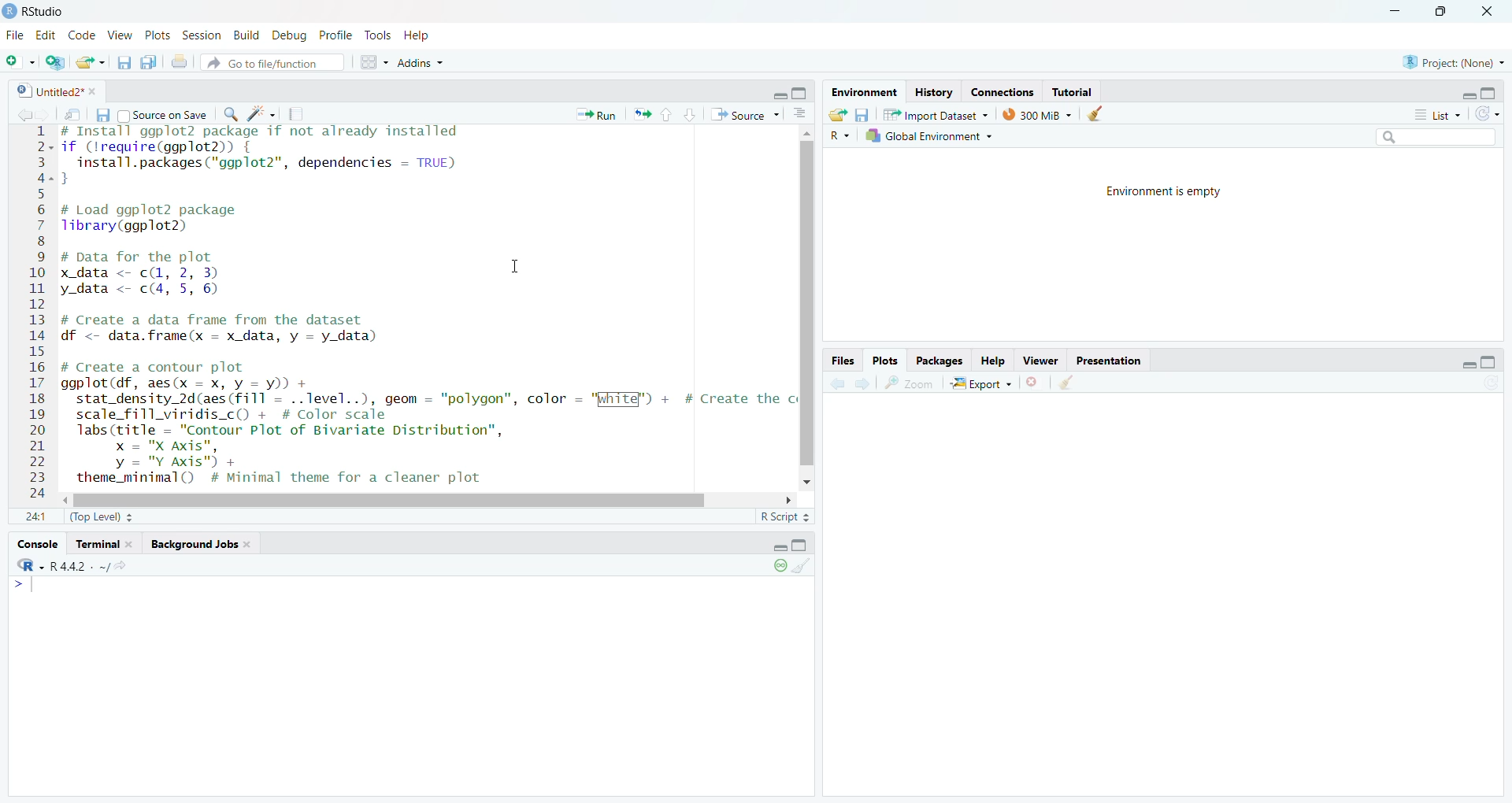  Describe the element at coordinates (1042, 361) in the screenshot. I see ` Viewer` at that location.